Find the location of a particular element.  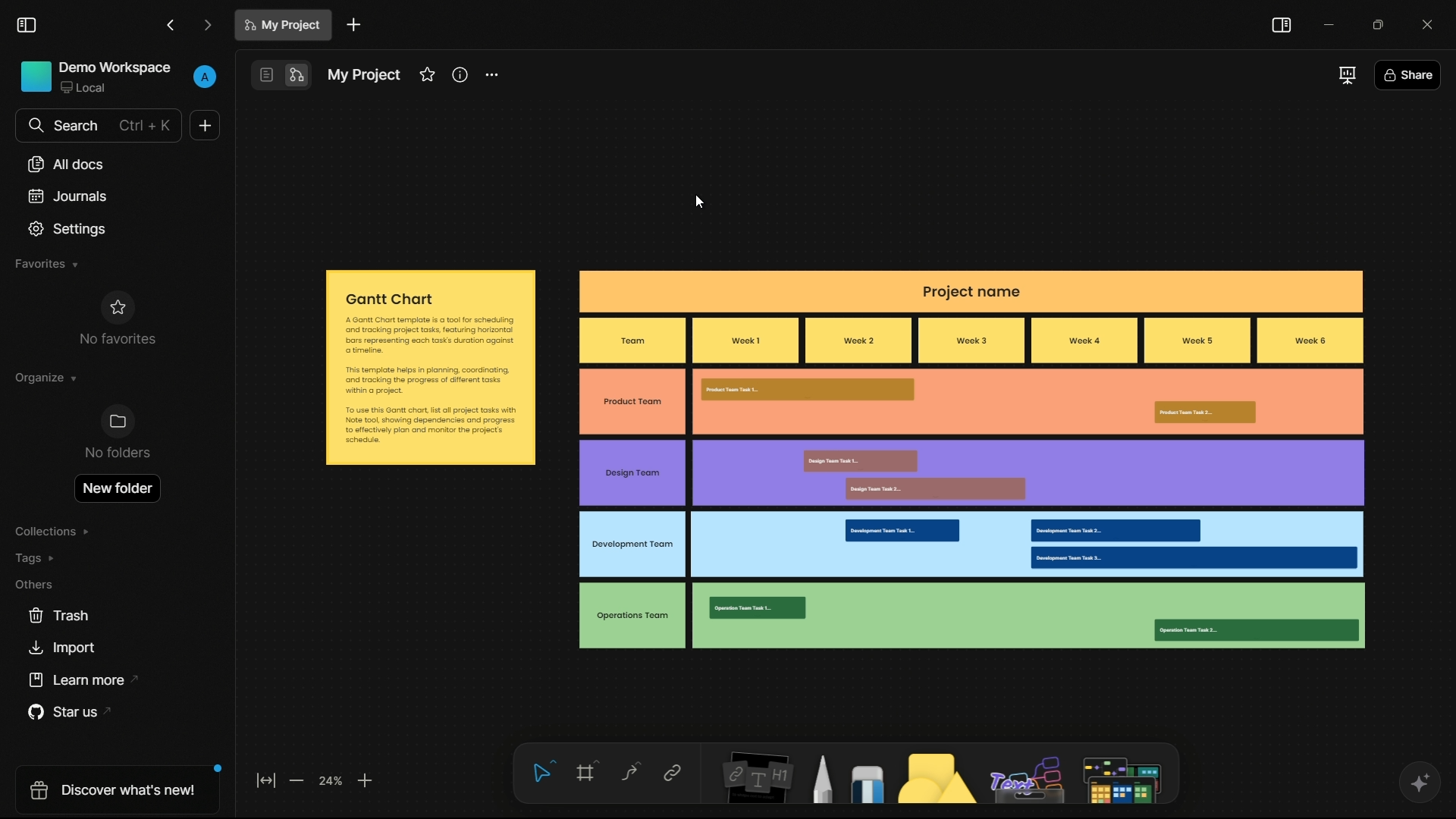

all documents is located at coordinates (65, 165).